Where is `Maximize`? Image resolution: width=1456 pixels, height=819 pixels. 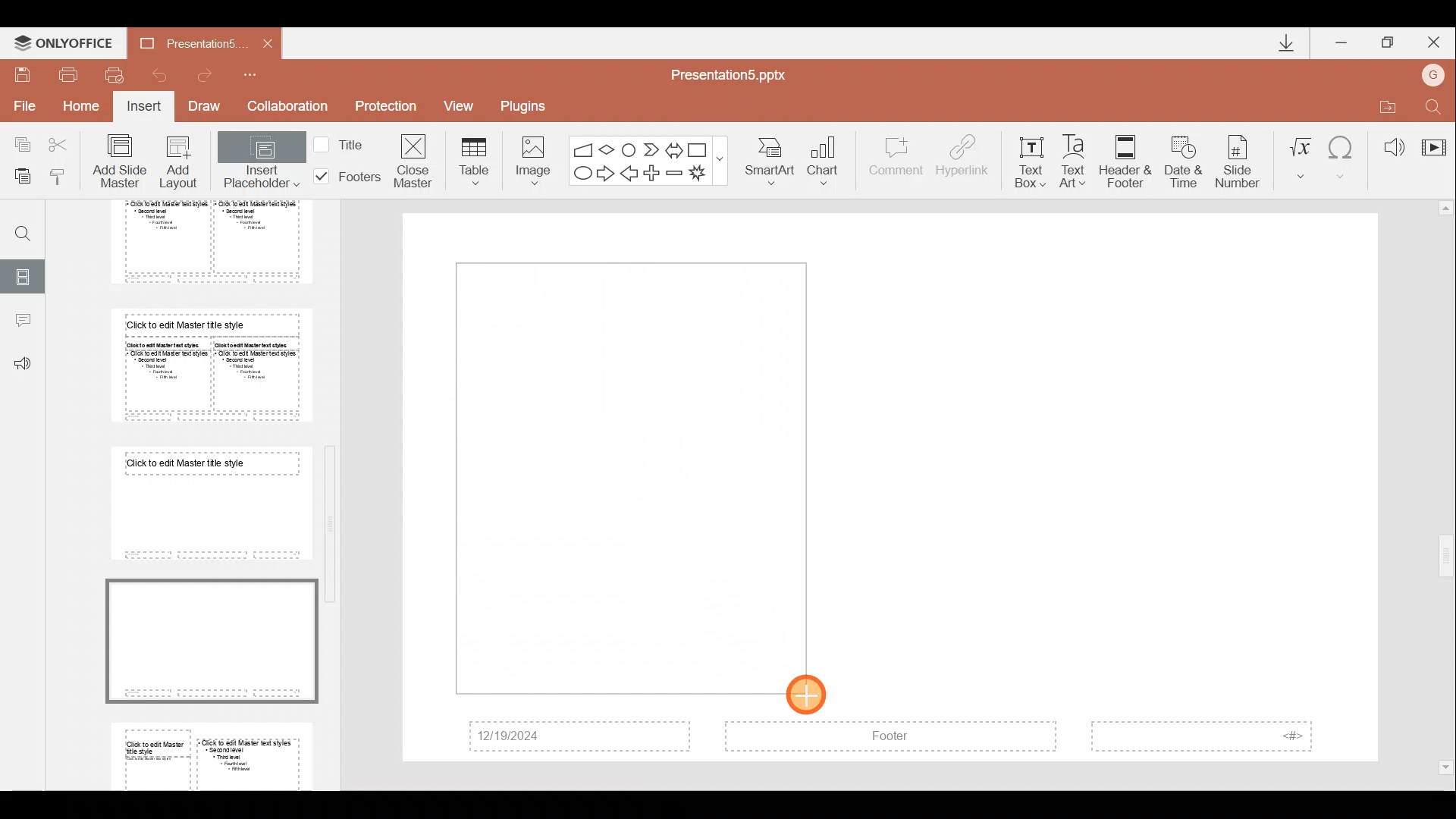
Maximize is located at coordinates (1389, 40).